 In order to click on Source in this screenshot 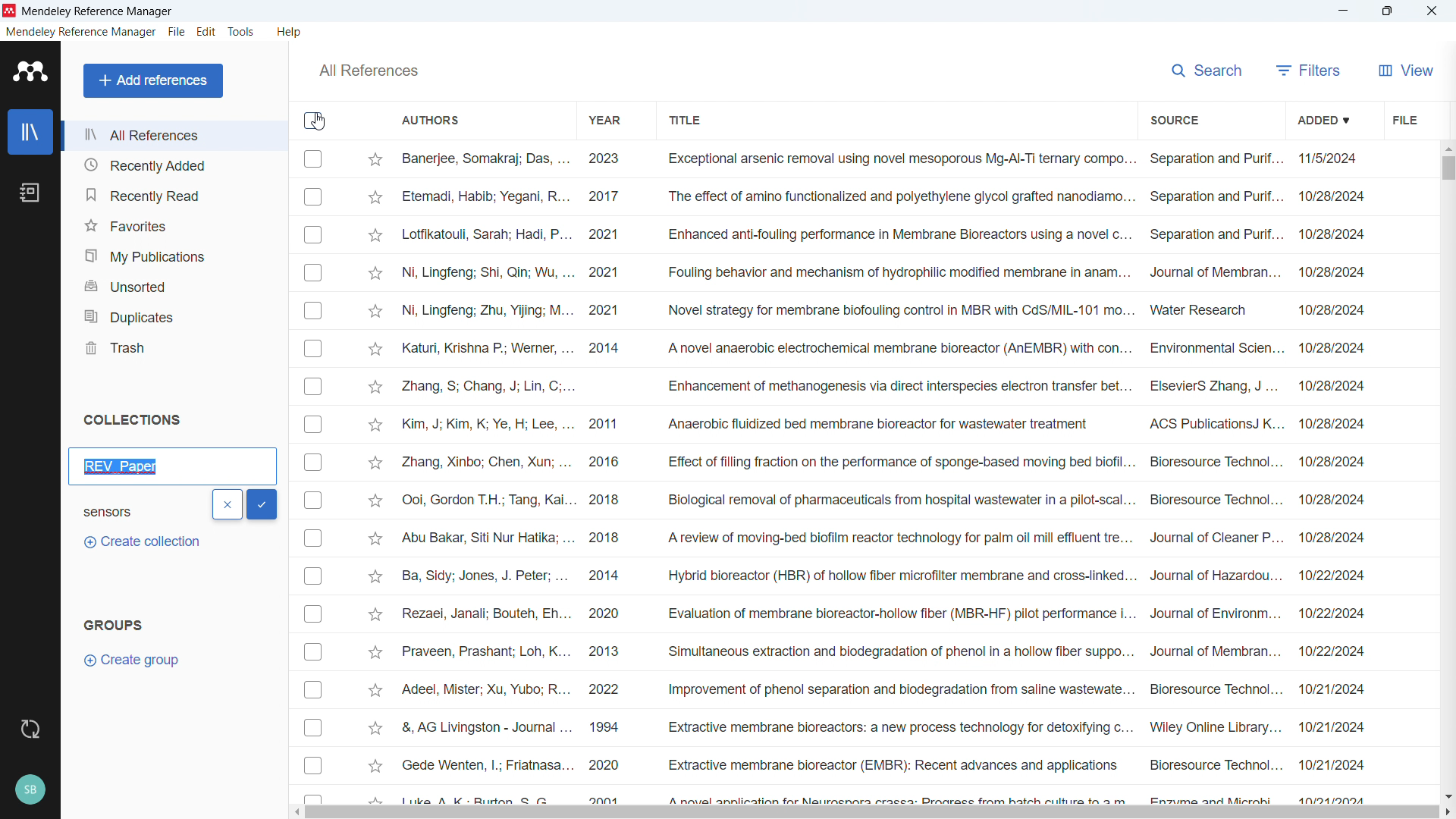, I will do `click(1175, 118)`.